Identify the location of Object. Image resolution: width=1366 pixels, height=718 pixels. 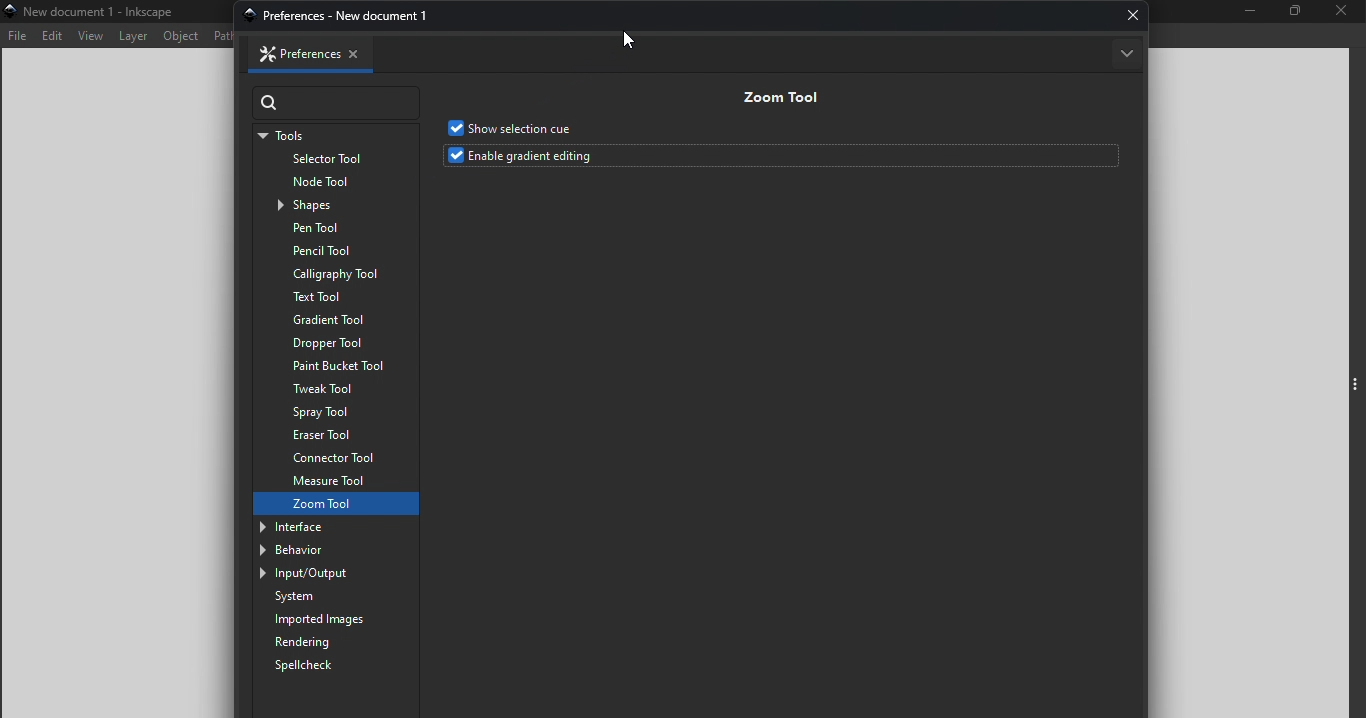
(177, 37).